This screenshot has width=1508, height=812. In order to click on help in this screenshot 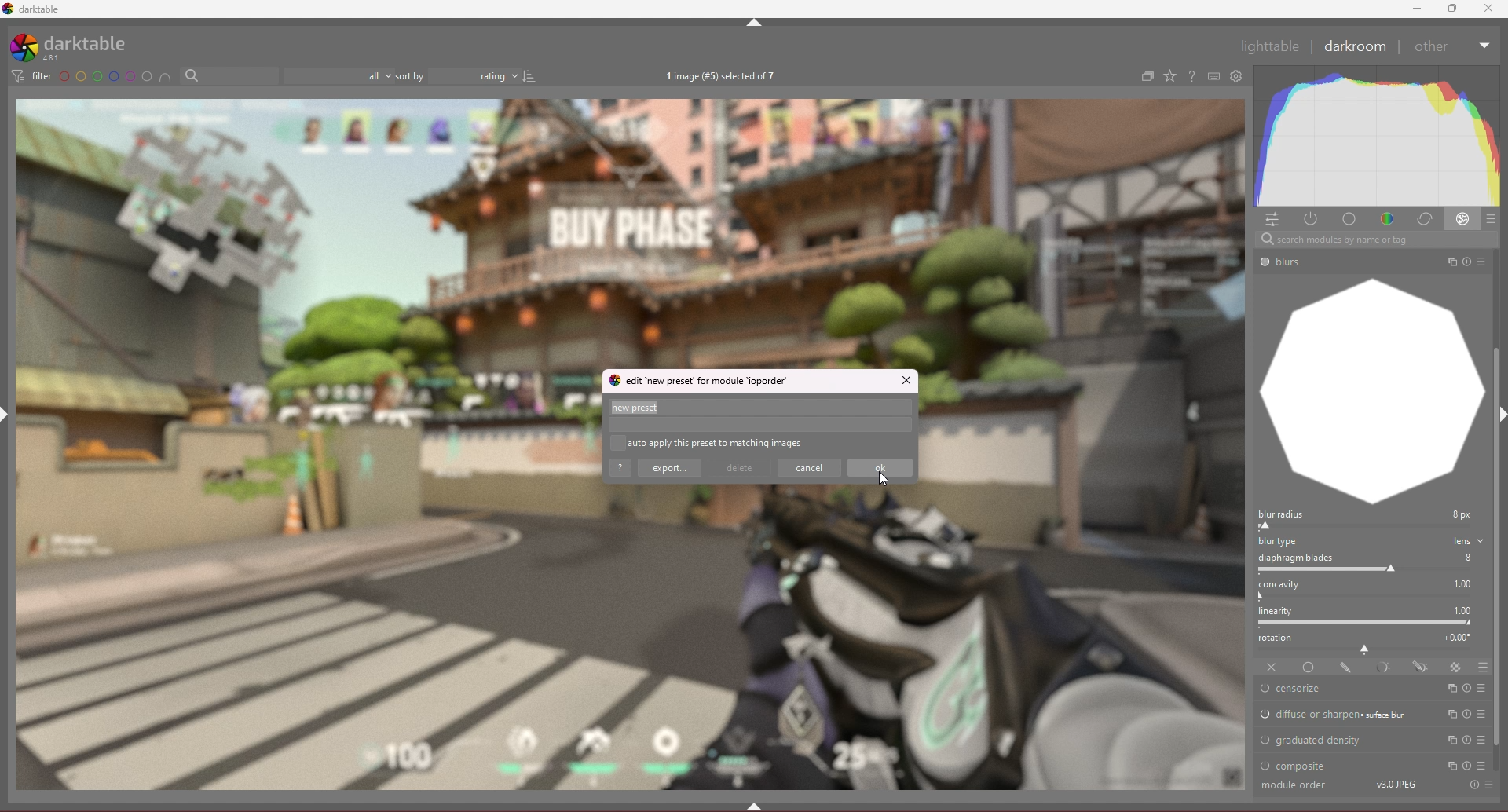, I will do `click(620, 467)`.